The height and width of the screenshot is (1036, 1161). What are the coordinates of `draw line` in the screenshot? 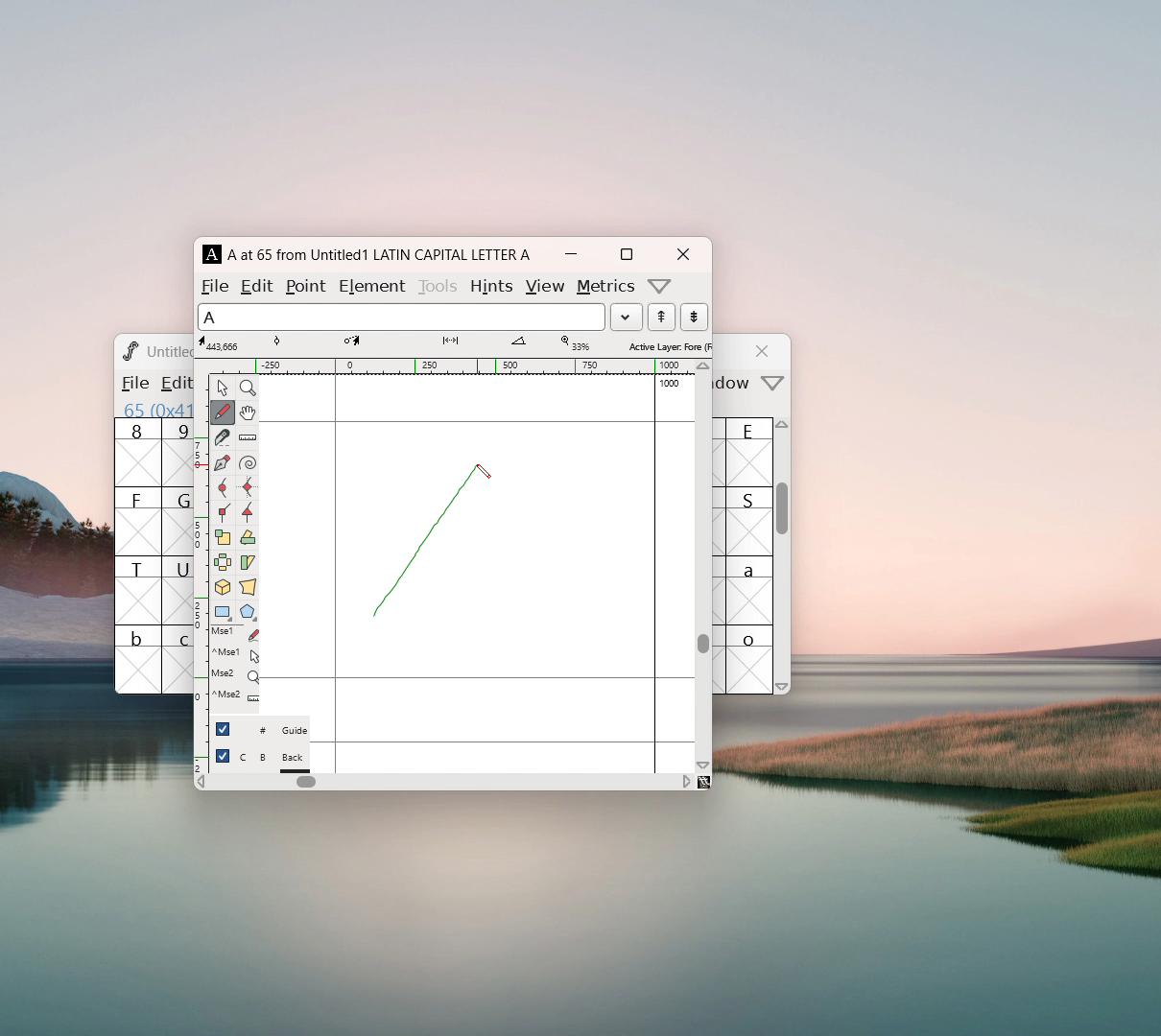 It's located at (435, 542).